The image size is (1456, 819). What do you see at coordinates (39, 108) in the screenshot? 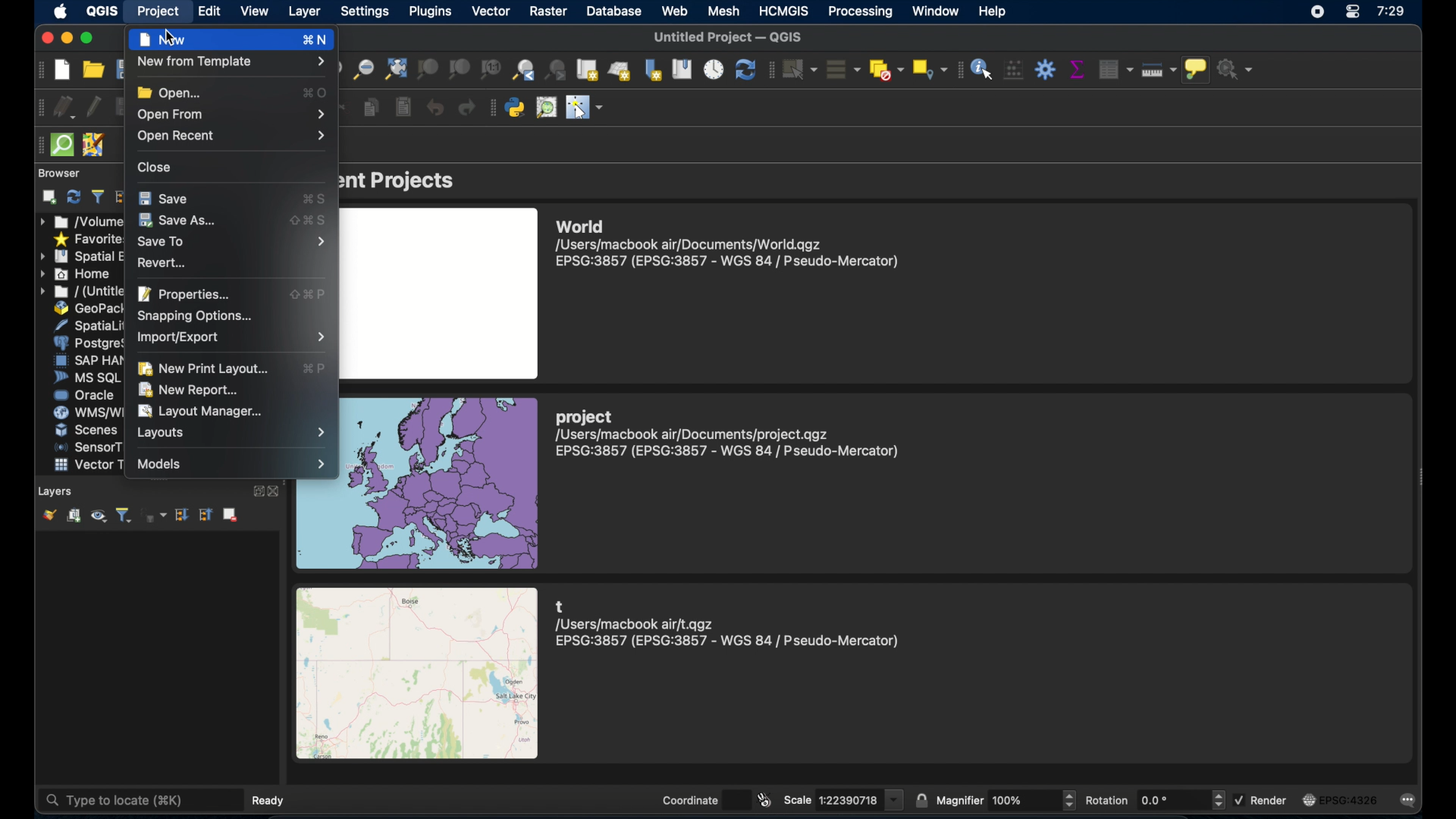
I see `digitizing toolbar` at bounding box center [39, 108].